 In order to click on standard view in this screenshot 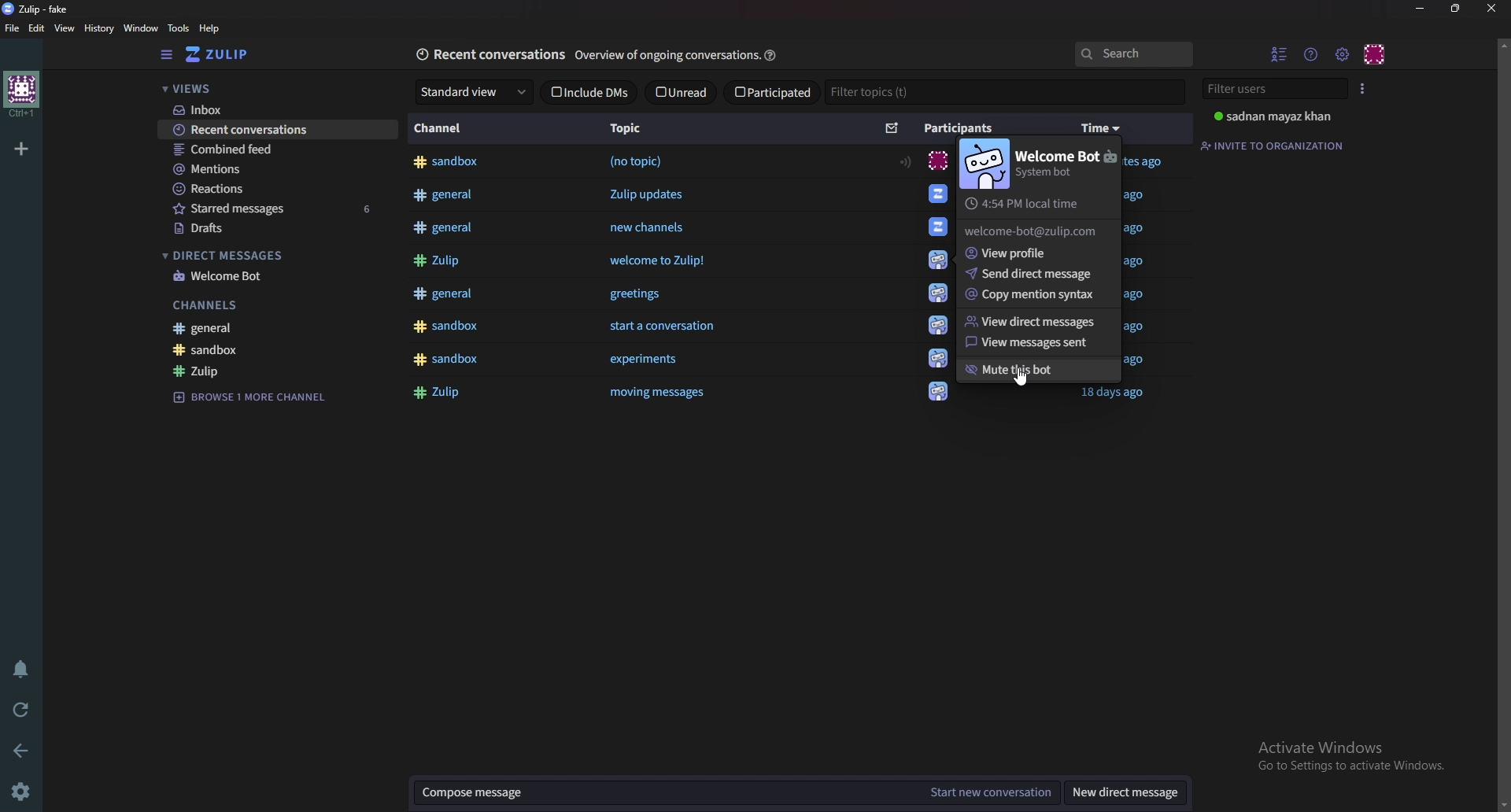, I will do `click(475, 93)`.